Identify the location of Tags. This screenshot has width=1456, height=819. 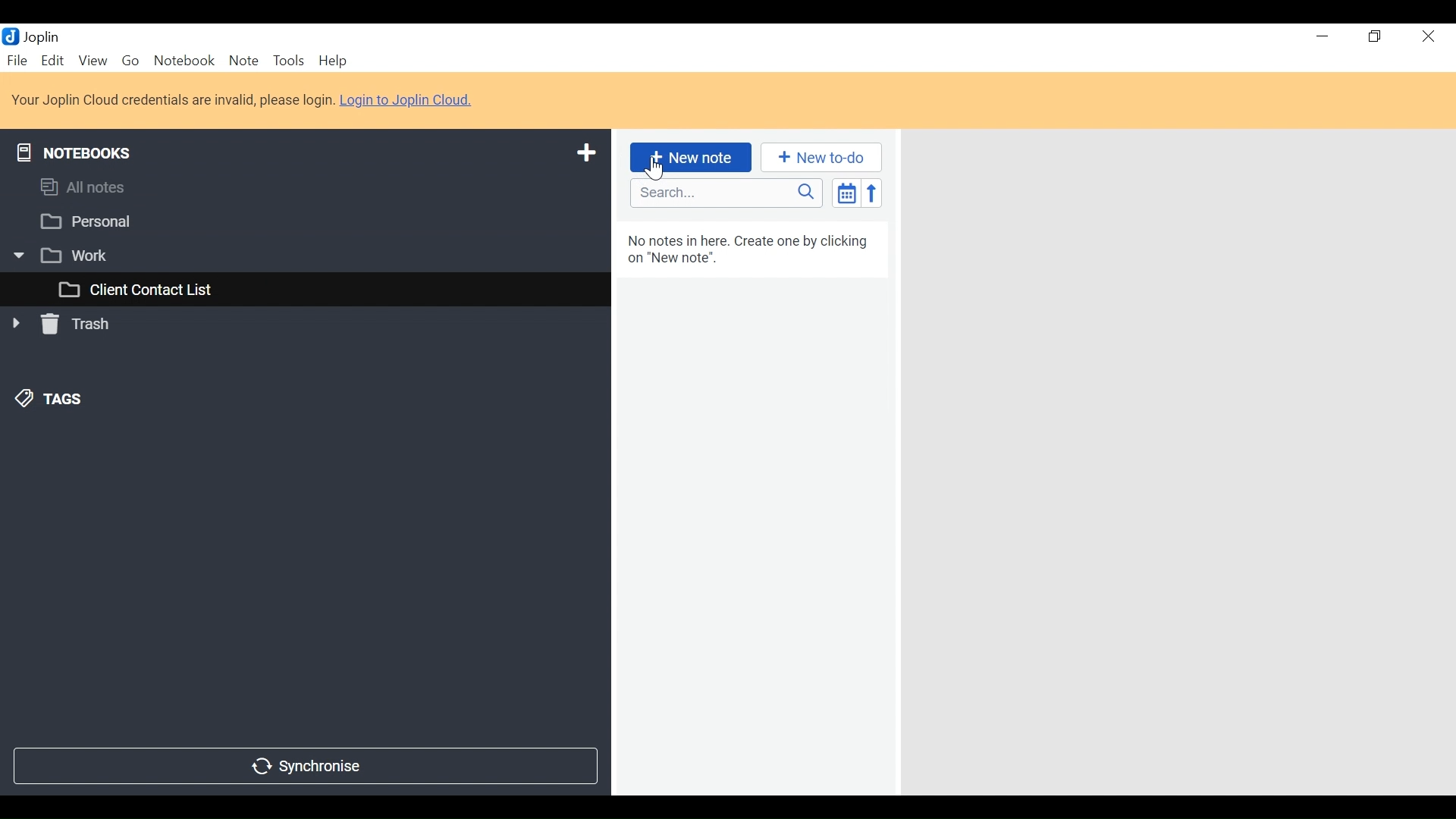
(46, 401).